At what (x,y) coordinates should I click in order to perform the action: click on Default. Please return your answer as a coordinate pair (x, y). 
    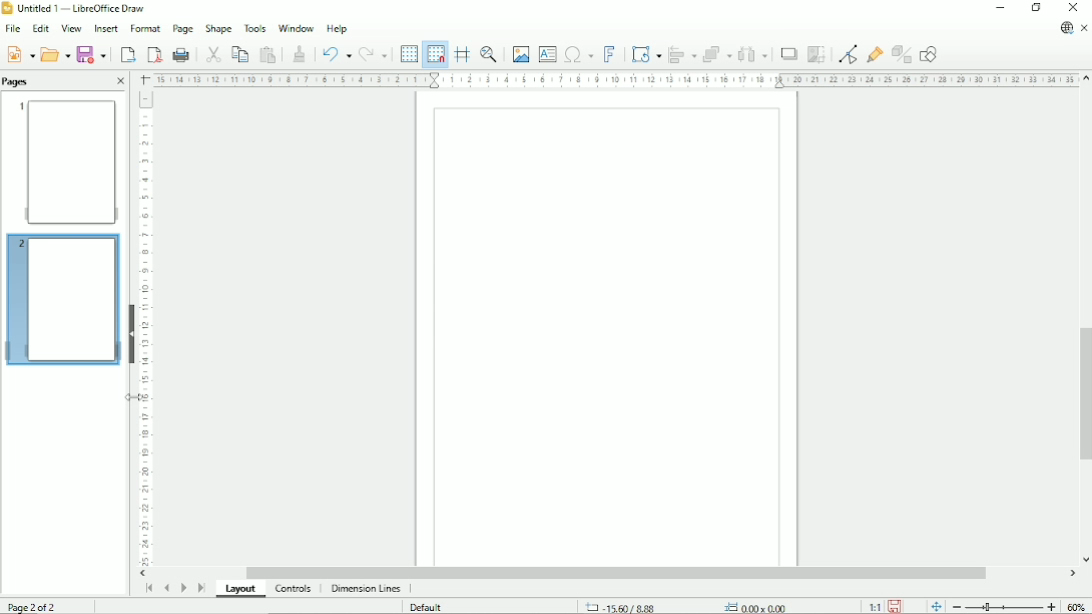
    Looking at the image, I should click on (428, 607).